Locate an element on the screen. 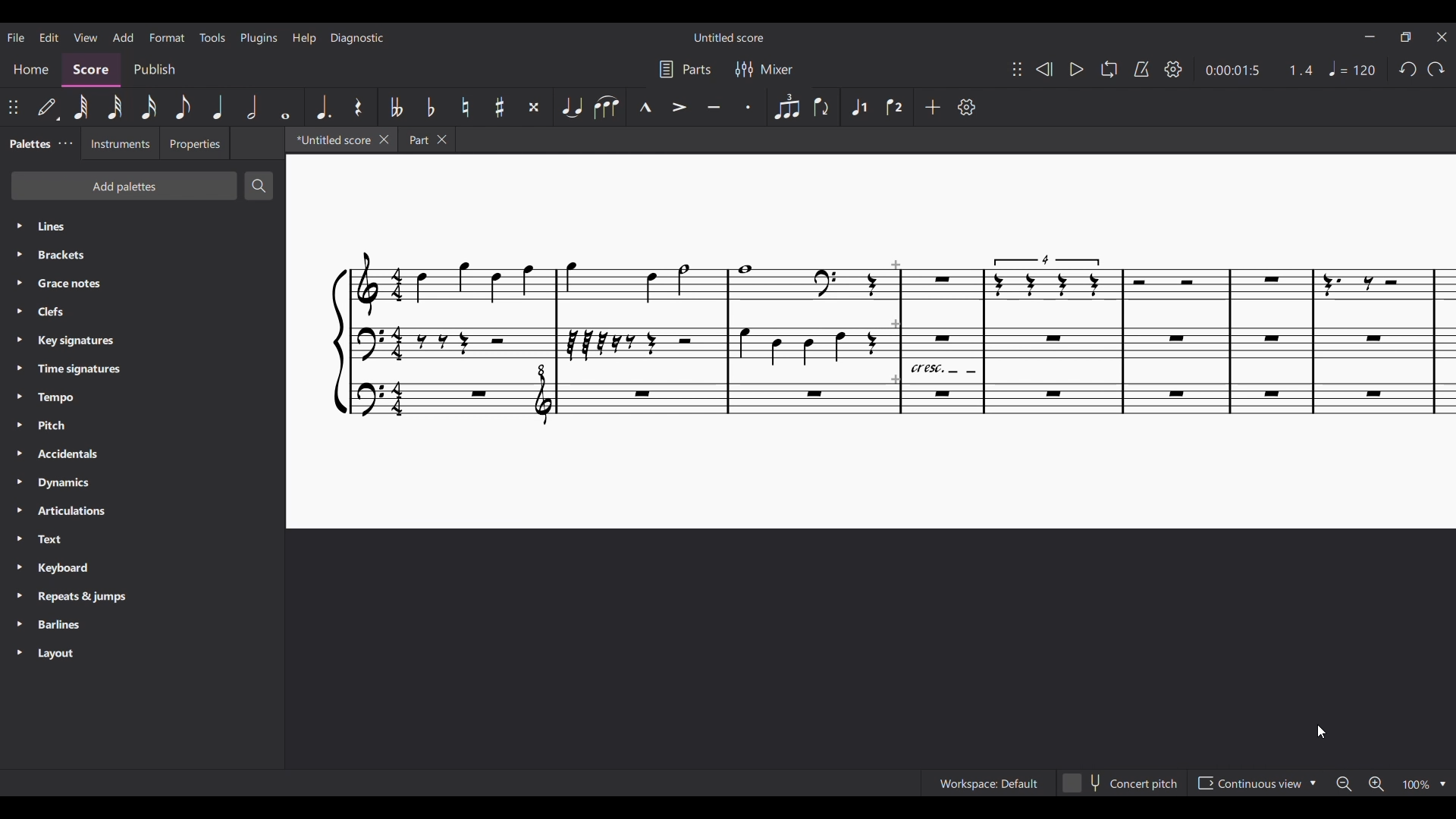 This screenshot has height=819, width=1456. Earlier tab is located at coordinates (428, 140).